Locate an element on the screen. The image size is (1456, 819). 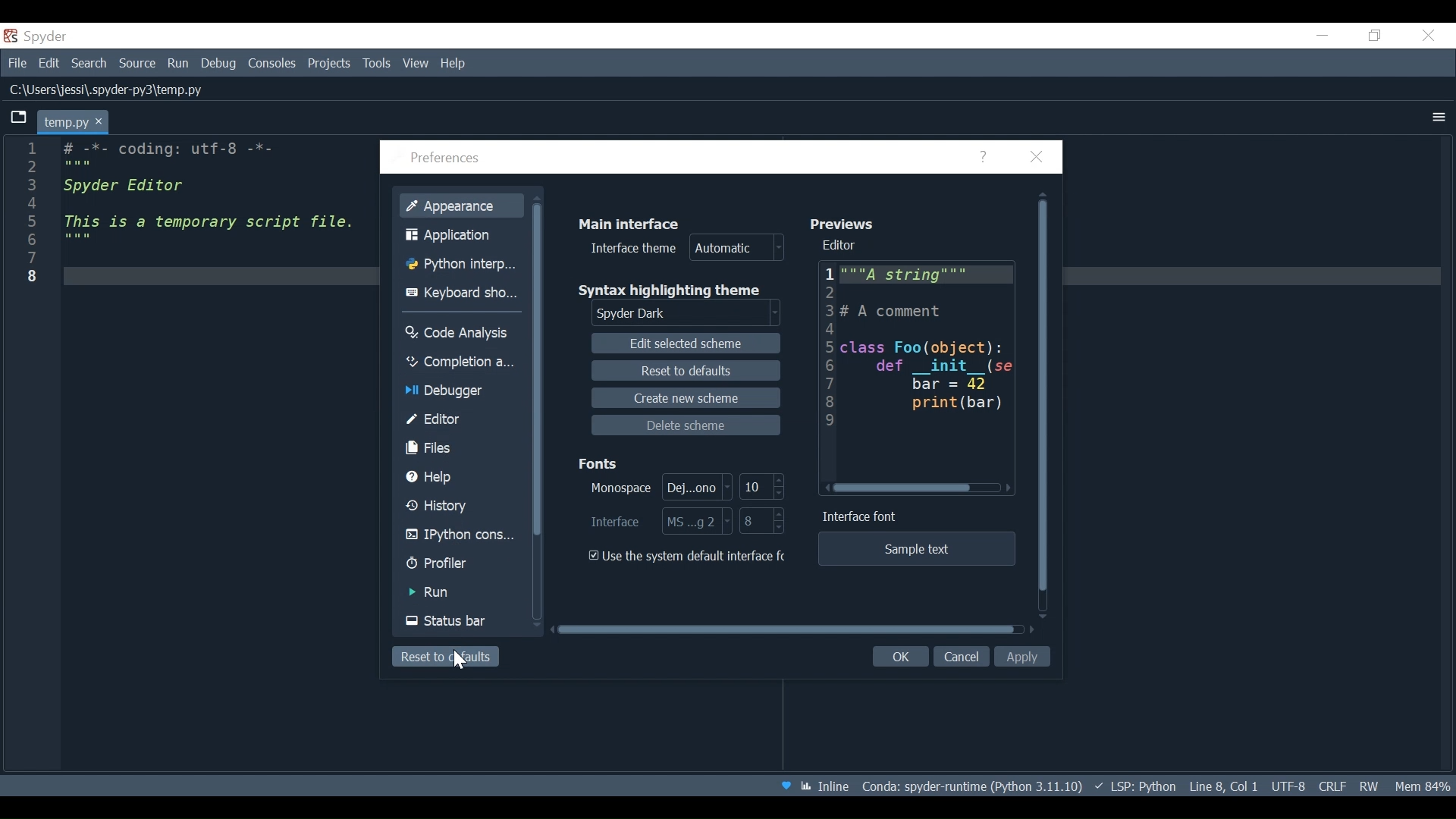
Vertical Scroll bar is located at coordinates (542, 410).